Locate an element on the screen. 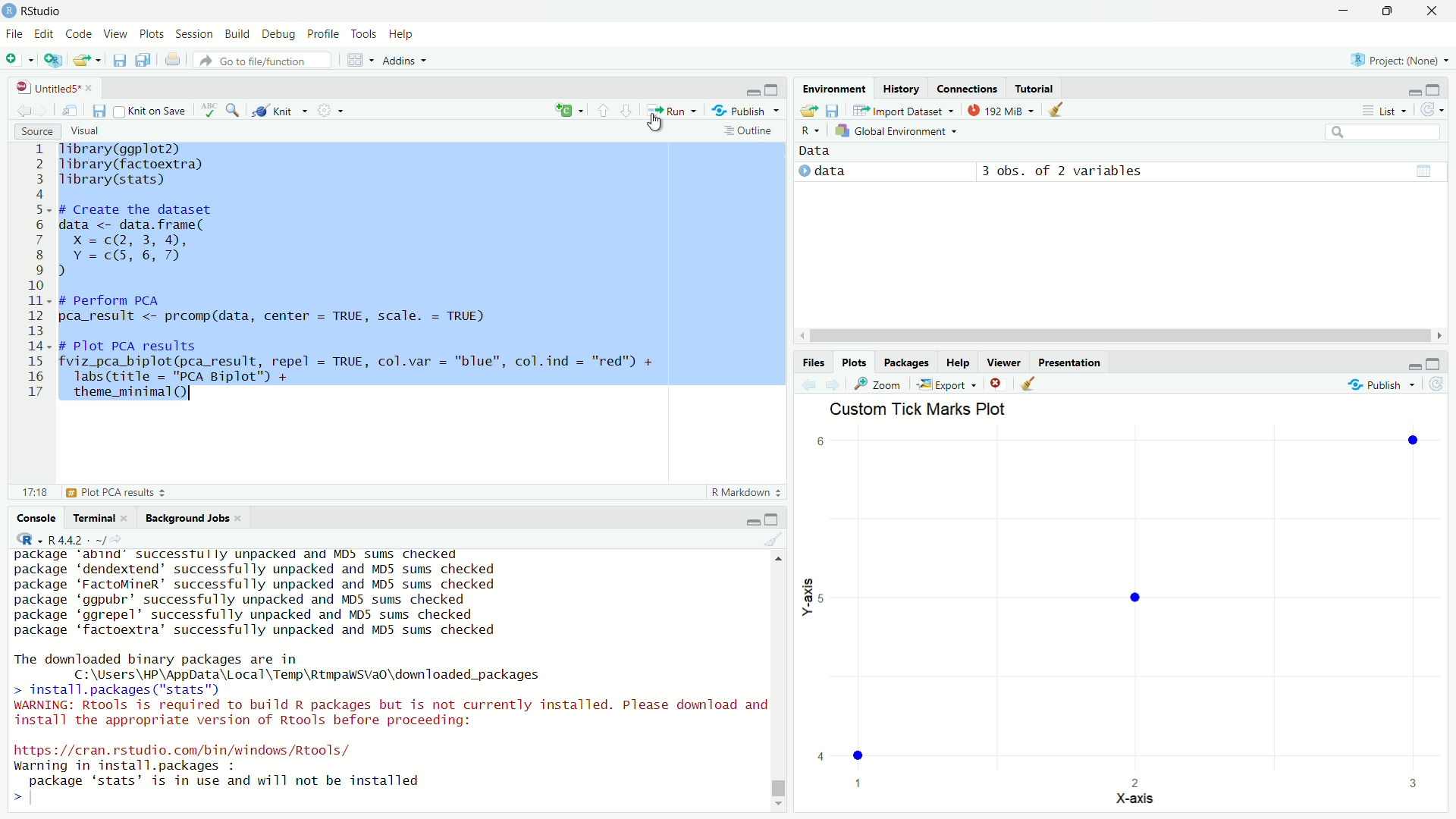  file name: untitled5 is located at coordinates (55, 87).